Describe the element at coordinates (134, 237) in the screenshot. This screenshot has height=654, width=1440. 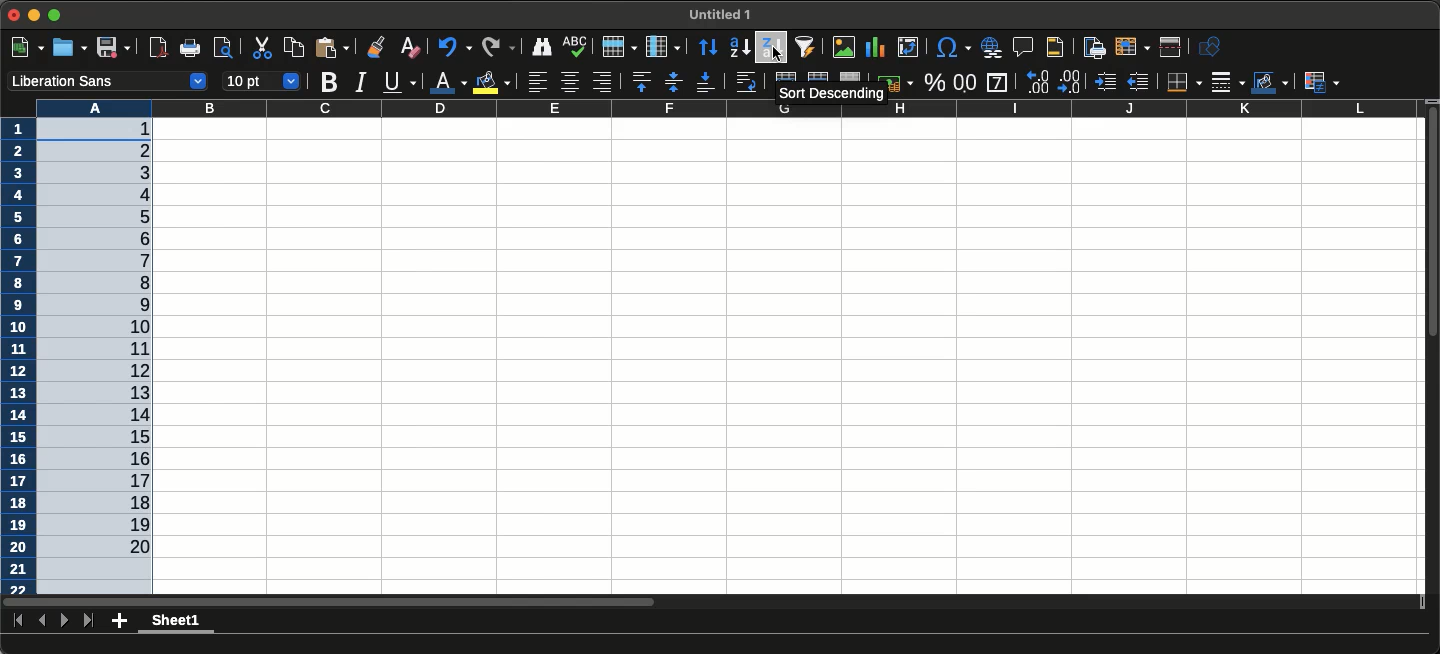
I see `6` at that location.